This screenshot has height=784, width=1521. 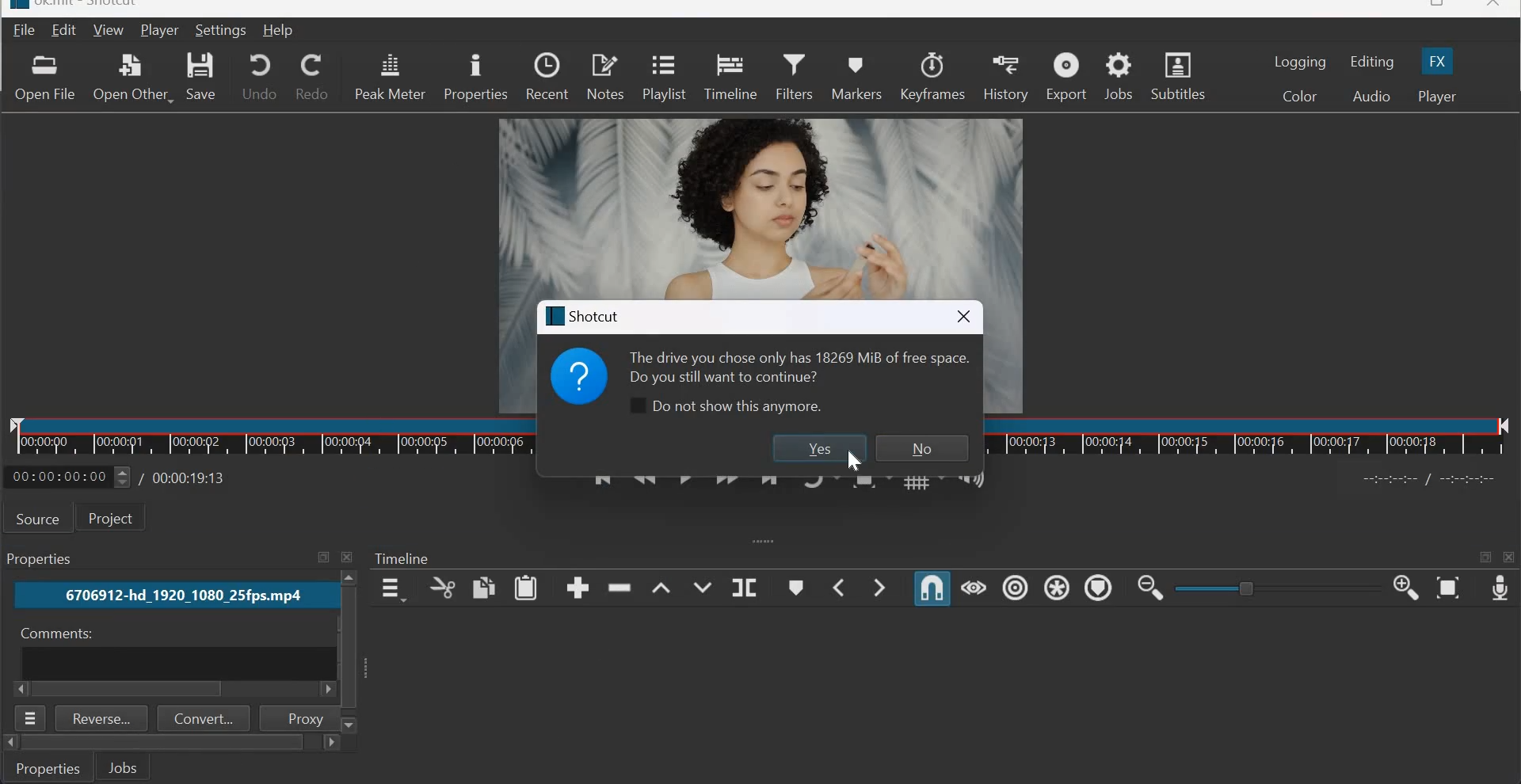 I want to click on Zoom Timeline in, so click(x=1406, y=589).